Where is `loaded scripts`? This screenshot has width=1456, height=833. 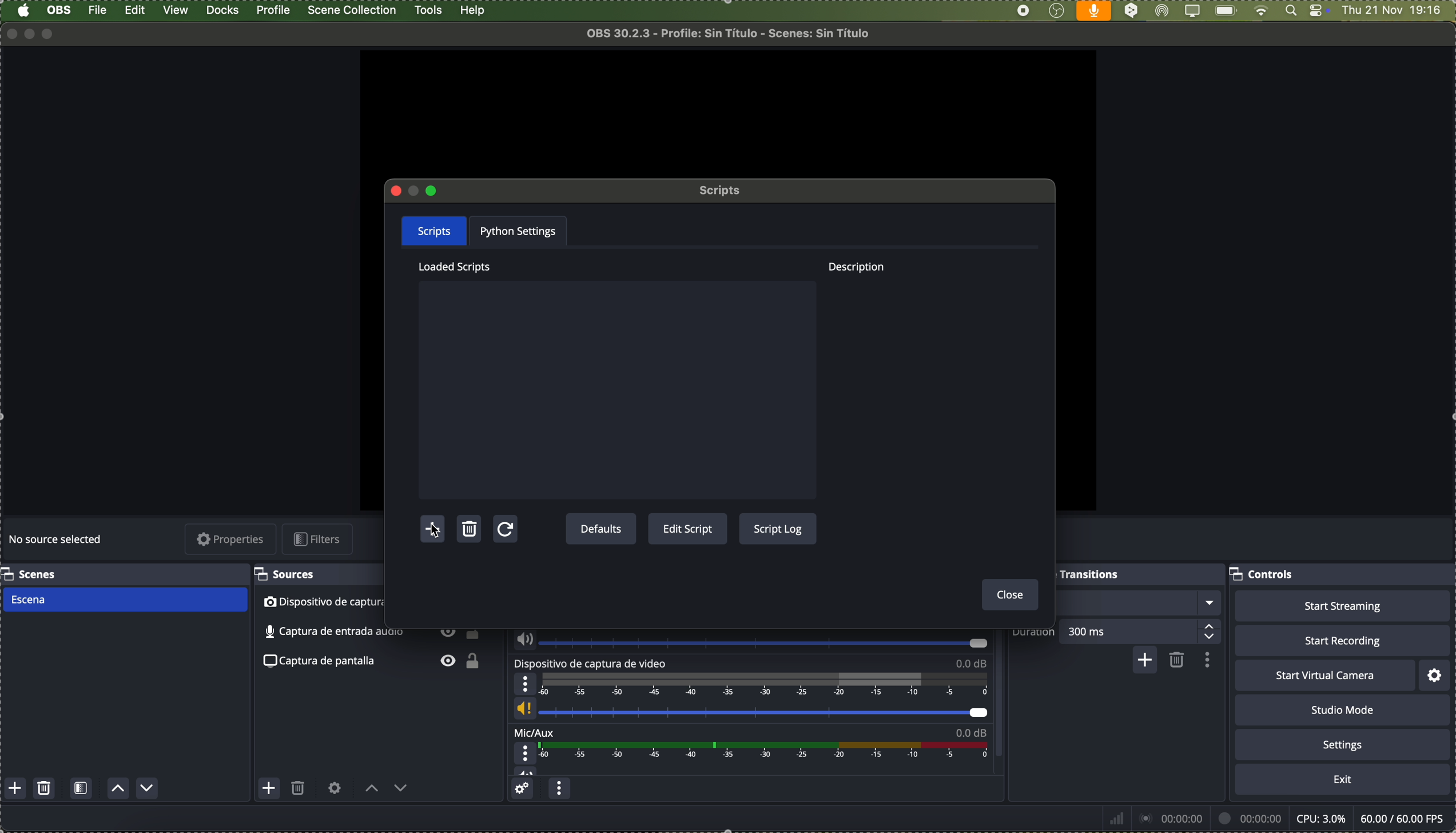
loaded scripts is located at coordinates (455, 267).